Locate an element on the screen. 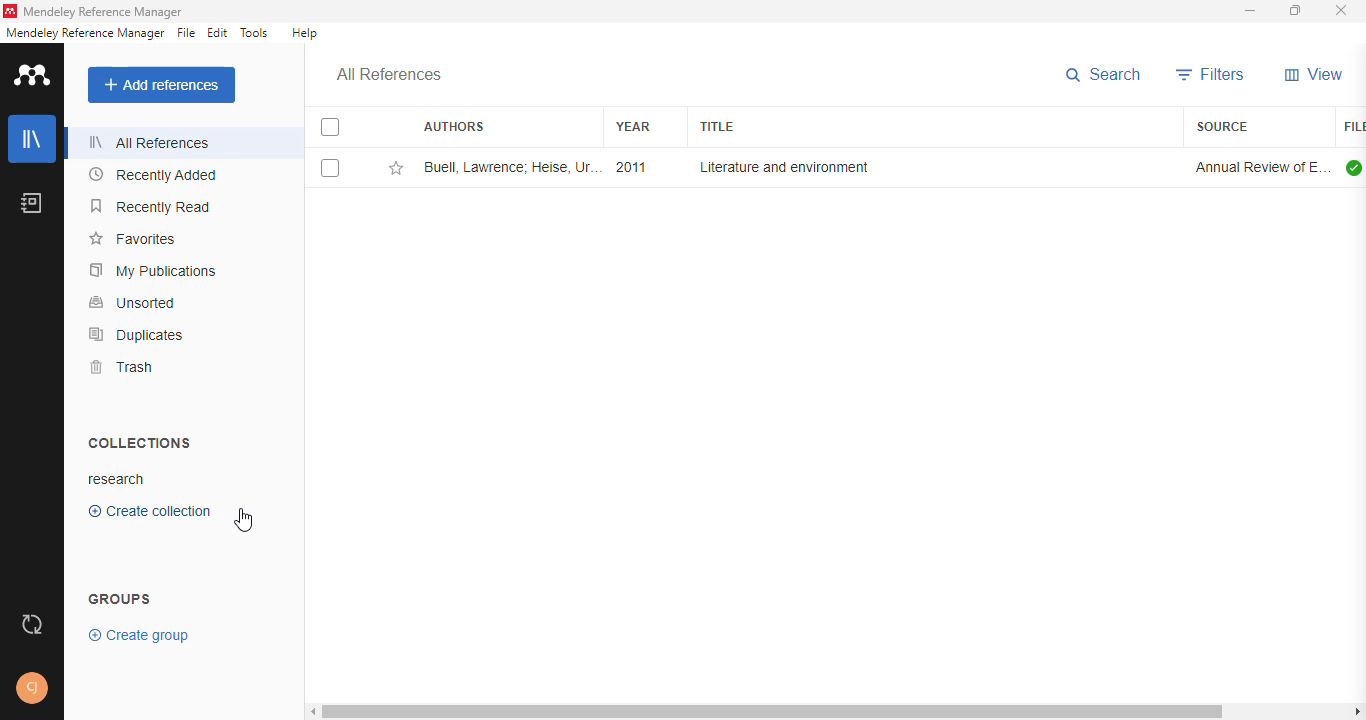  horizontal scroll bar is located at coordinates (772, 711).